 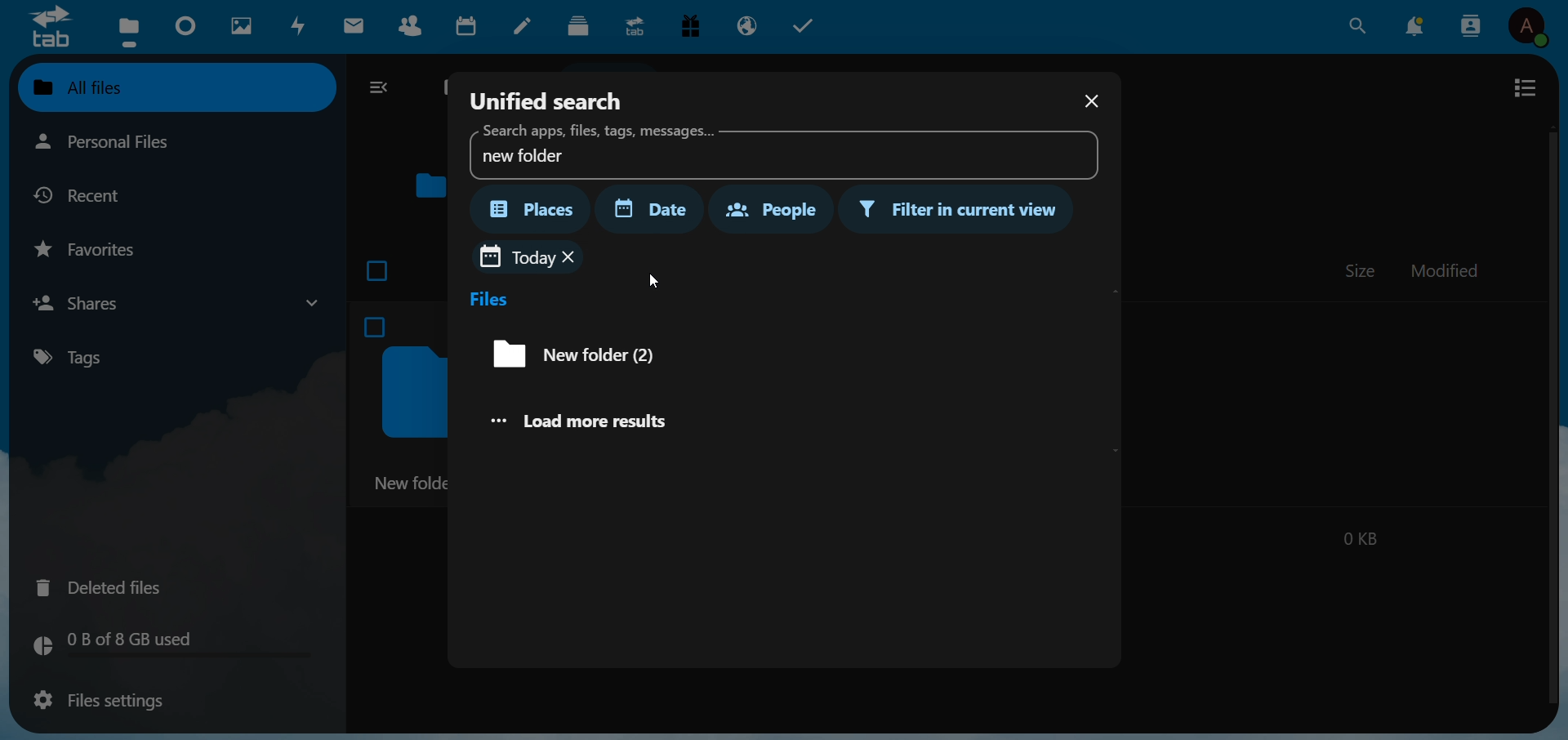 I want to click on files, so click(x=490, y=299).